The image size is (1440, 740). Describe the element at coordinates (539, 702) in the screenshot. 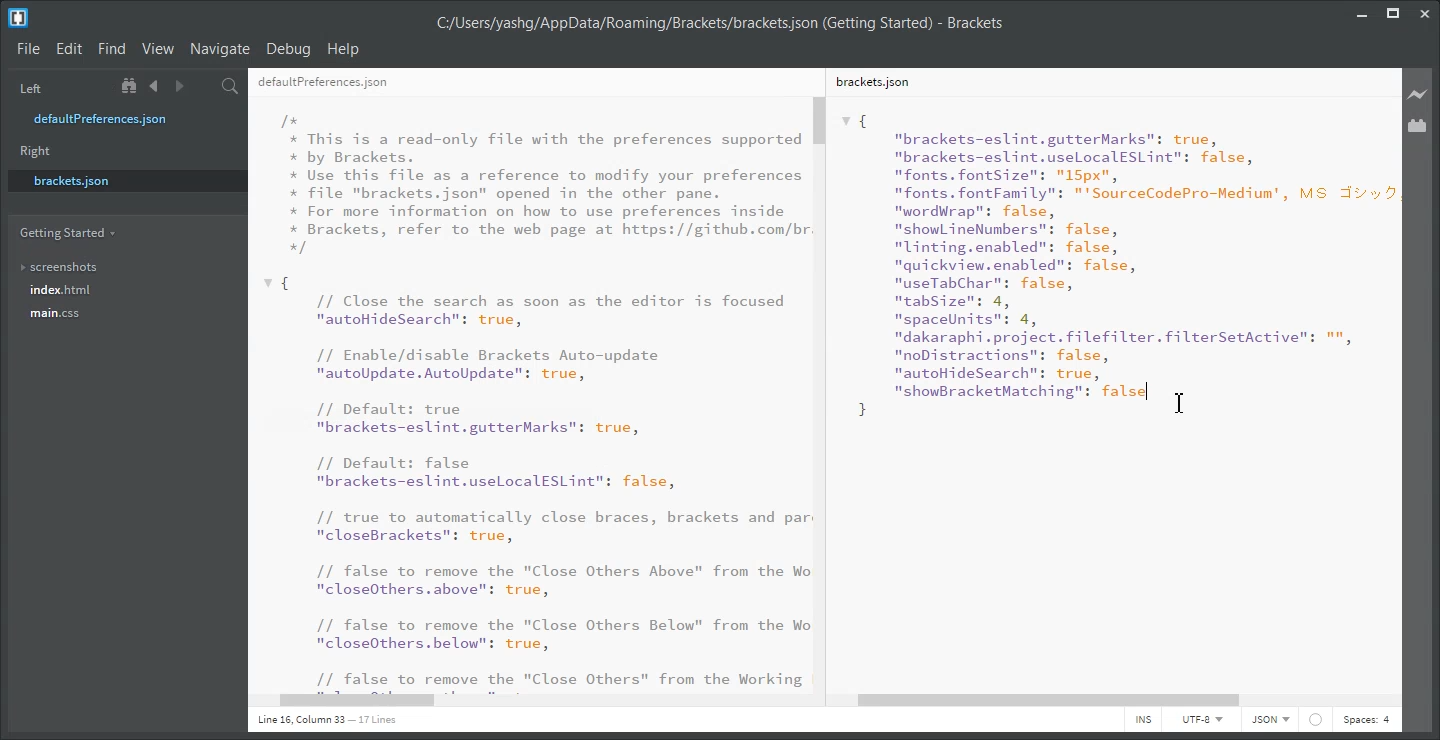

I see `Horizontal Scroll Bar` at that location.